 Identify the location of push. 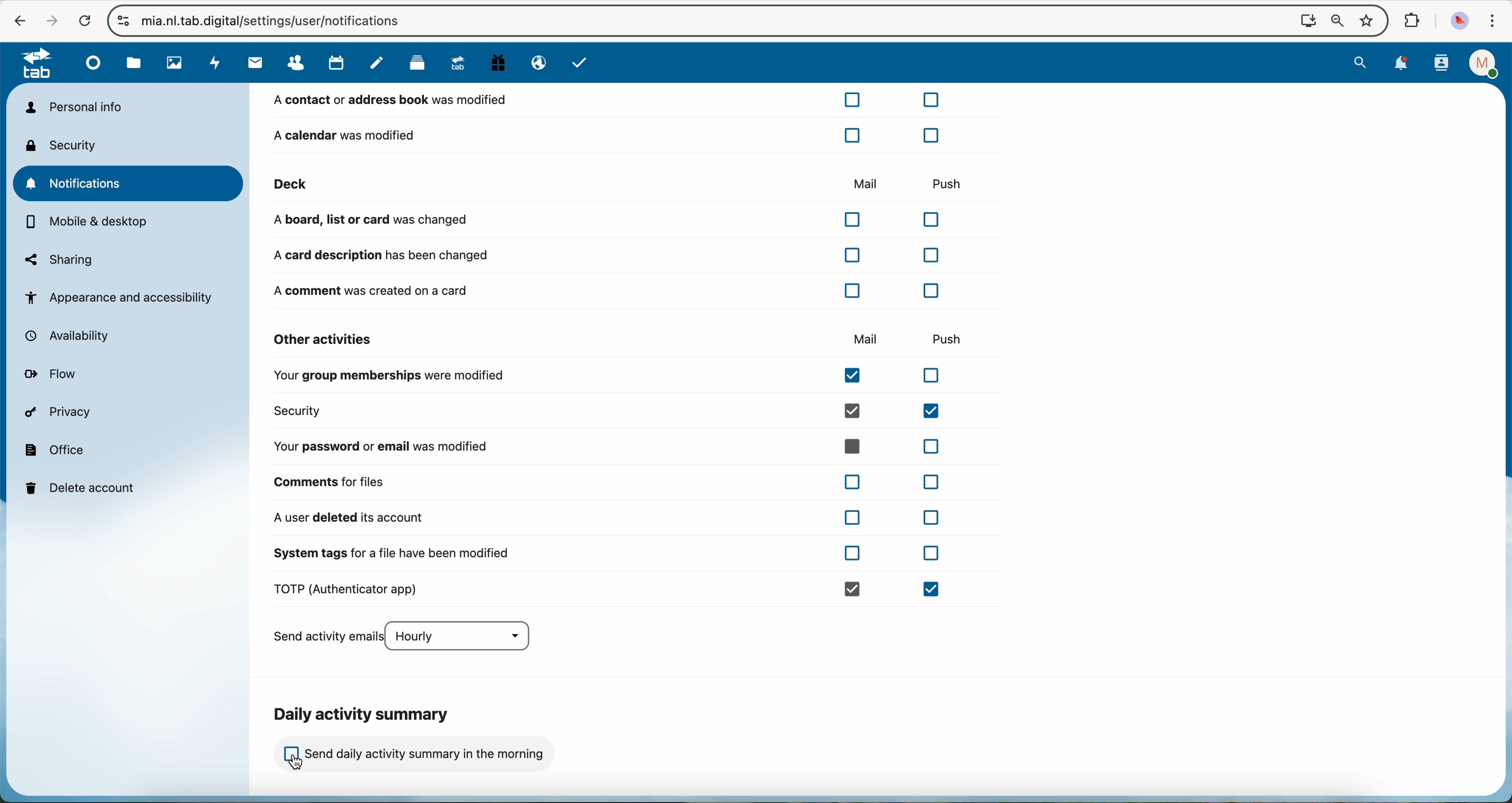
(946, 180).